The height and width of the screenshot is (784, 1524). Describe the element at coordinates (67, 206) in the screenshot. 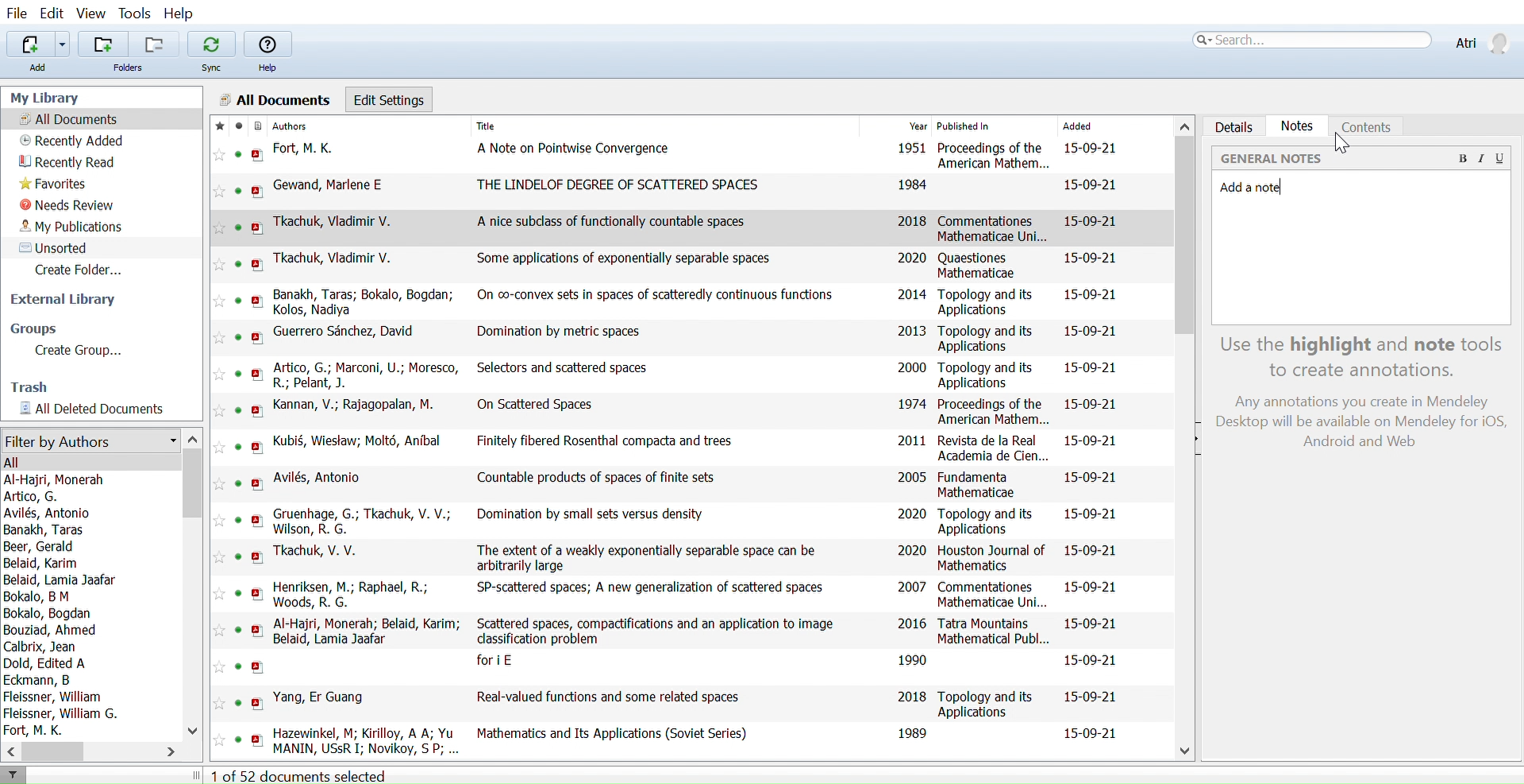

I see `Needs review` at that location.